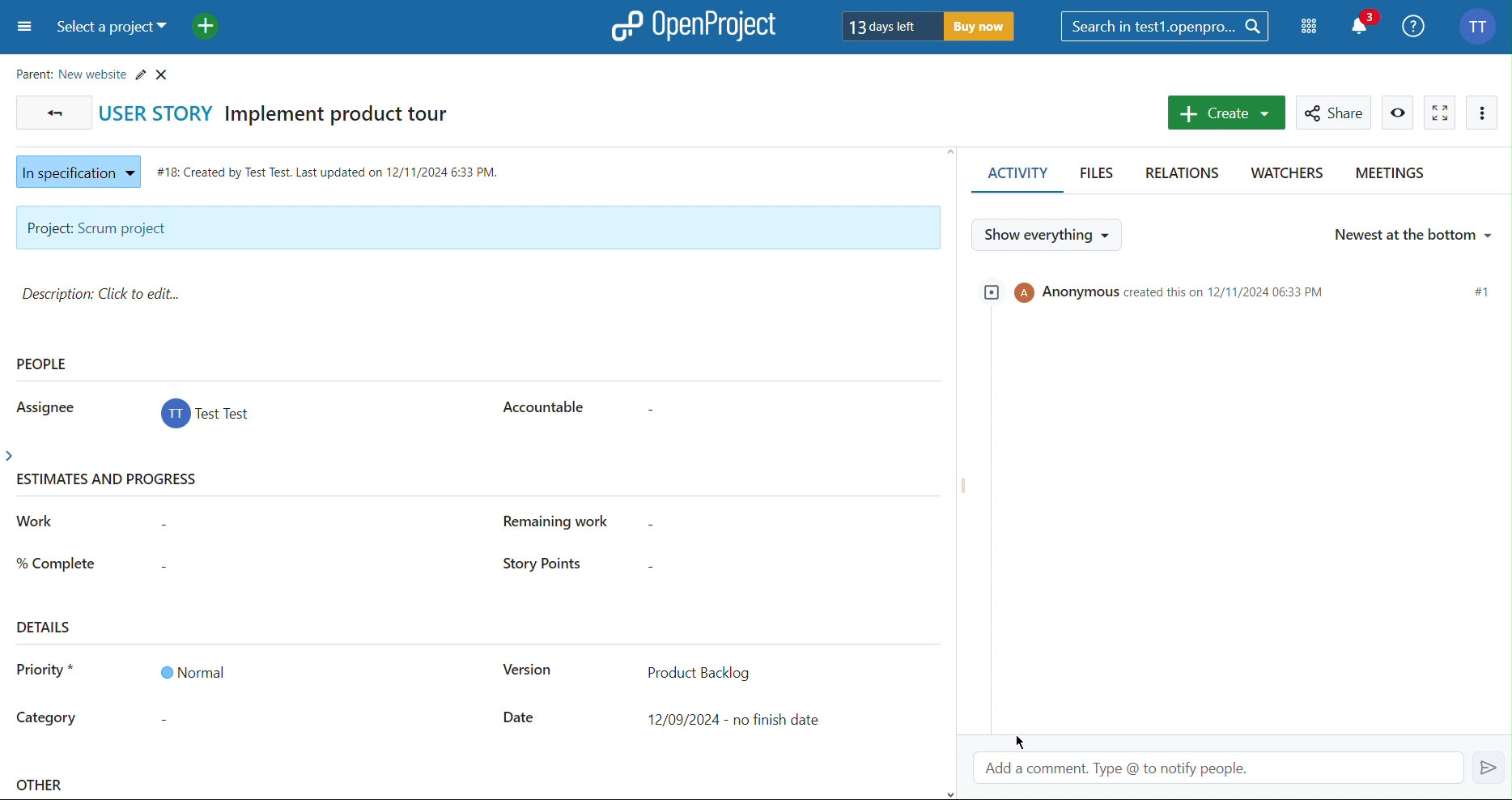 The height and width of the screenshot is (800, 1512). What do you see at coordinates (1166, 290) in the screenshot?
I see `[© @ Anonymous created this on 12/11/2024 0633 PM` at bounding box center [1166, 290].